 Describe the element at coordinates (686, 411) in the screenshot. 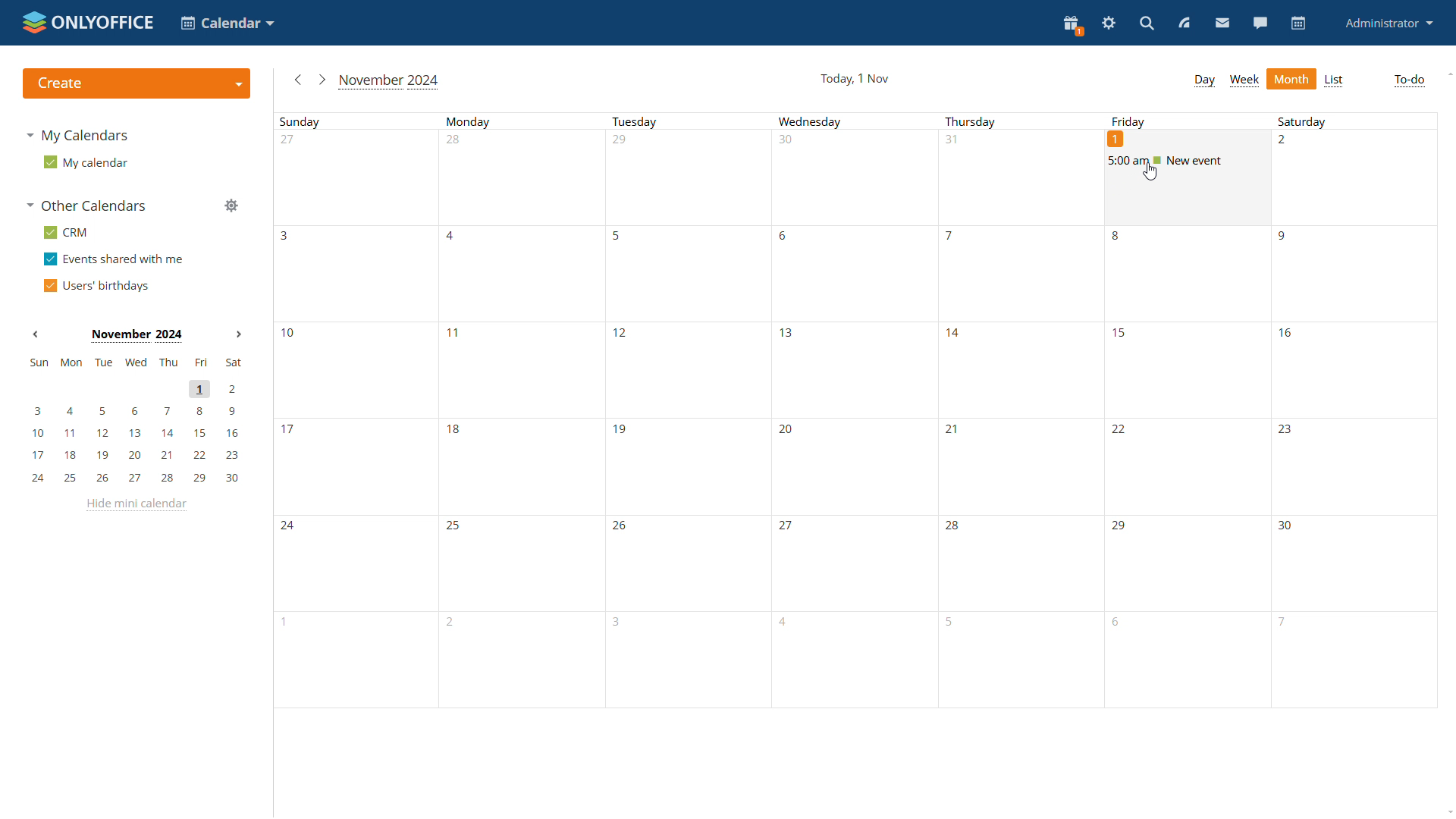

I see `Tuesdays` at that location.